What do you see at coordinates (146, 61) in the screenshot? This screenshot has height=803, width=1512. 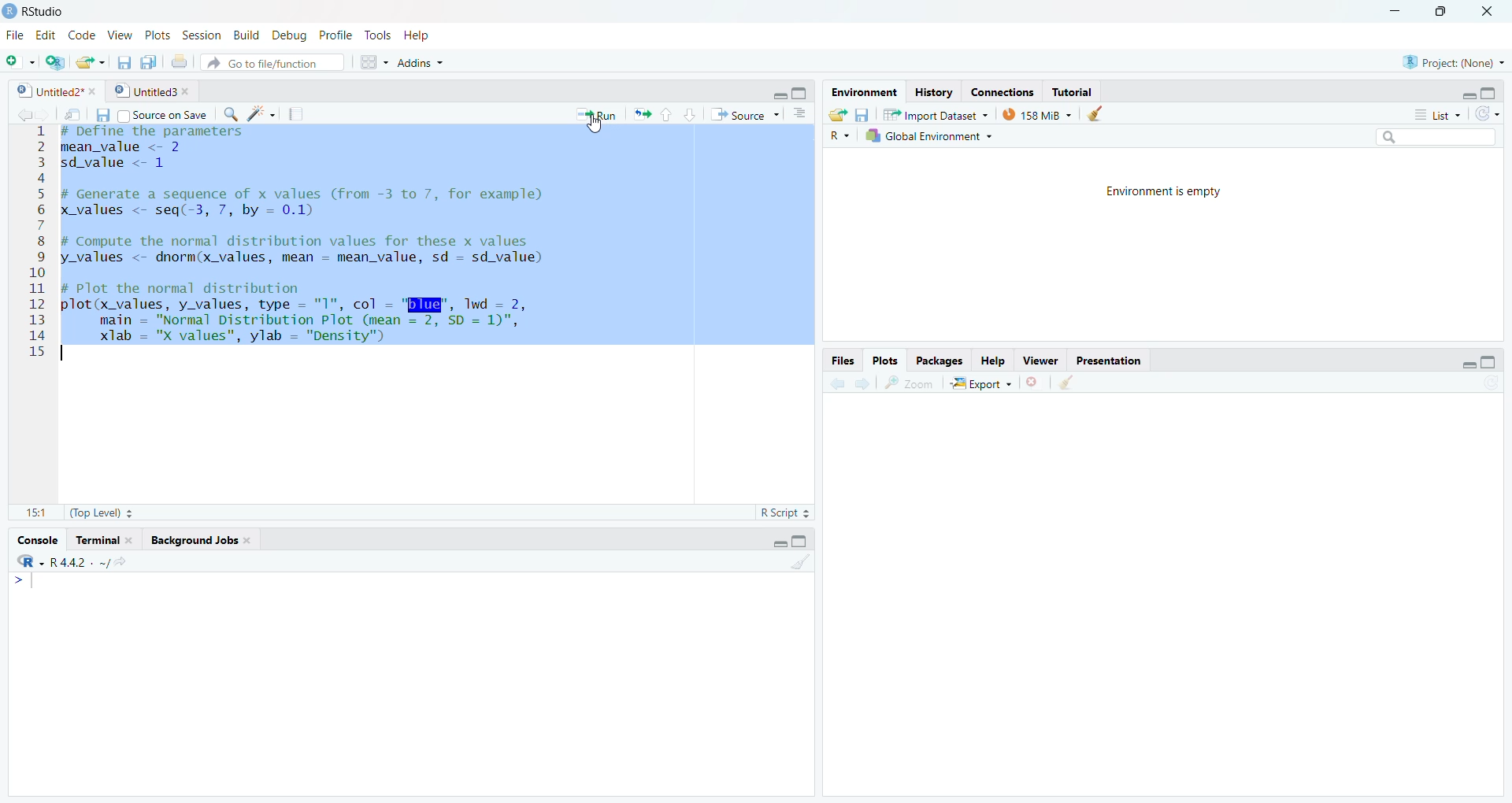 I see `save all documents` at bounding box center [146, 61].